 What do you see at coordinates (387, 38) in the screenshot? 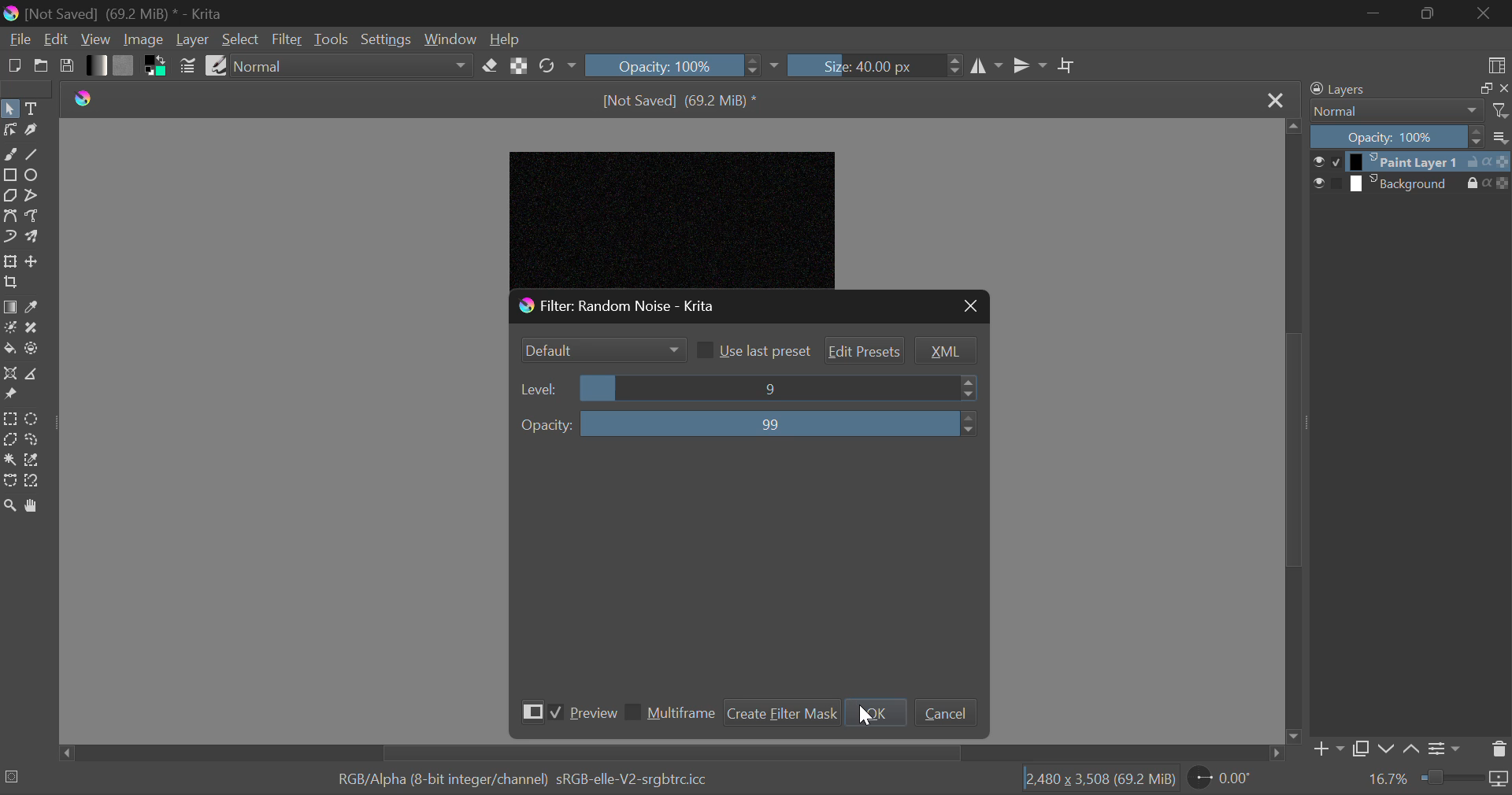
I see `Settings` at bounding box center [387, 38].